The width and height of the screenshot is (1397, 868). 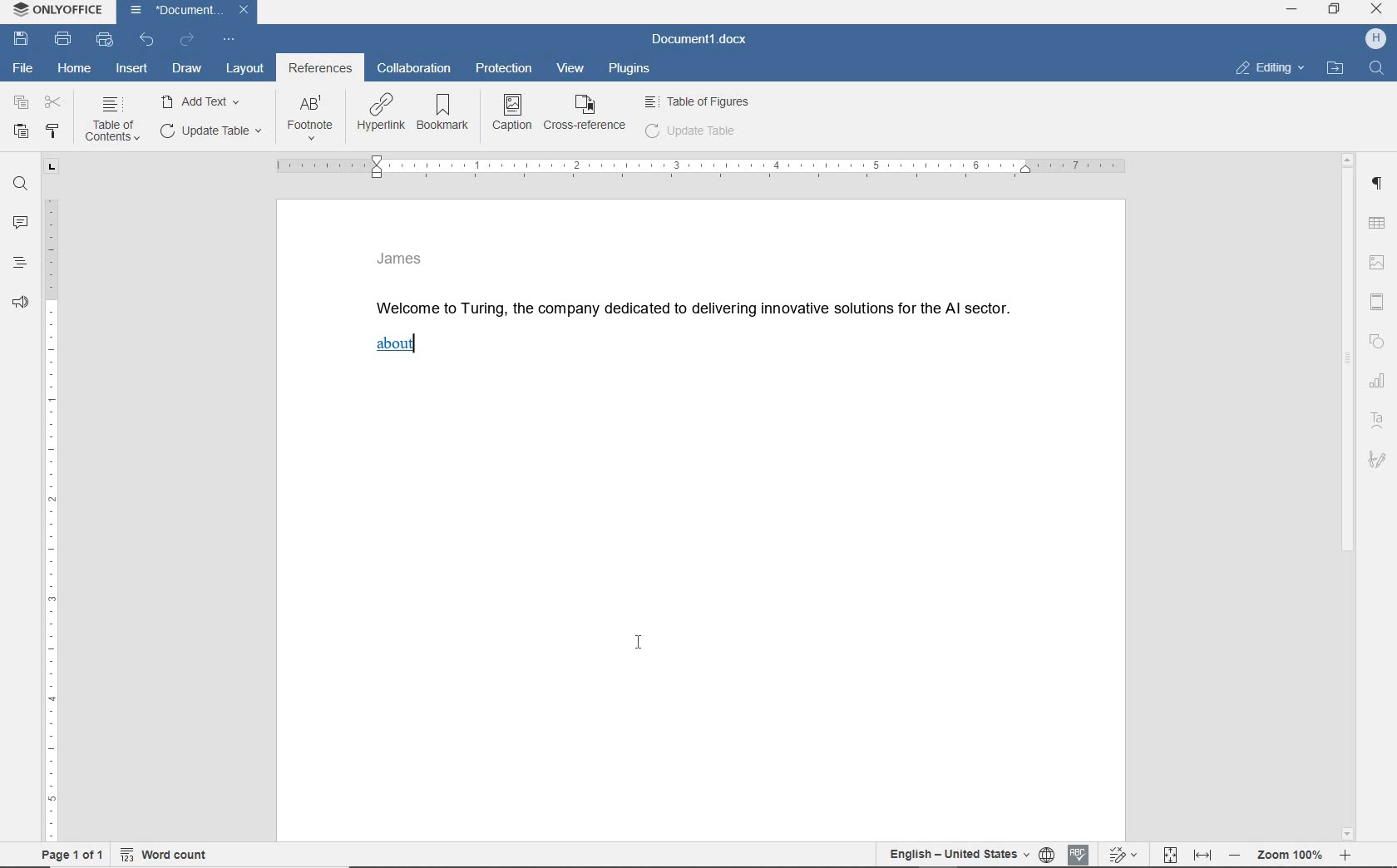 I want to click on Restore down, so click(x=1338, y=13).